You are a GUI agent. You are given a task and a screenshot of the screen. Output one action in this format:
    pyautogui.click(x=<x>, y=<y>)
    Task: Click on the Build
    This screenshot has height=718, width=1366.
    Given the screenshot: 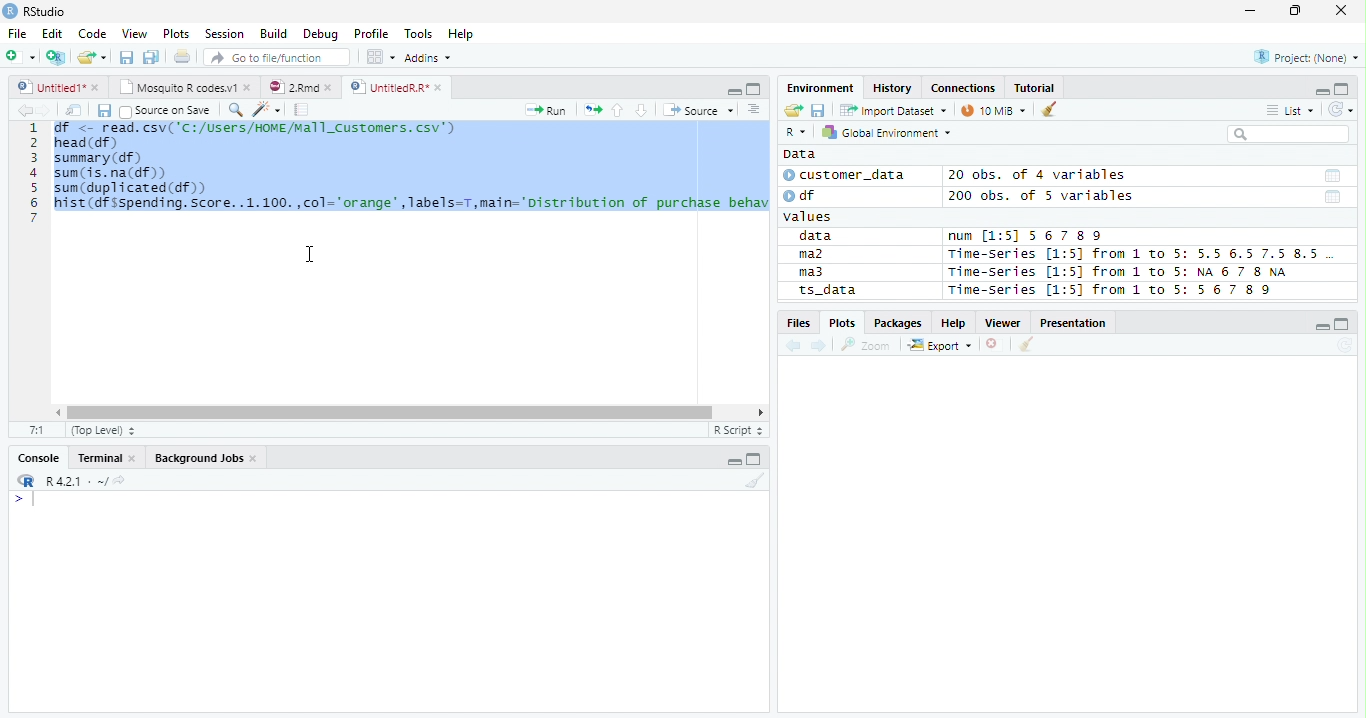 What is the action you would take?
    pyautogui.click(x=276, y=35)
    